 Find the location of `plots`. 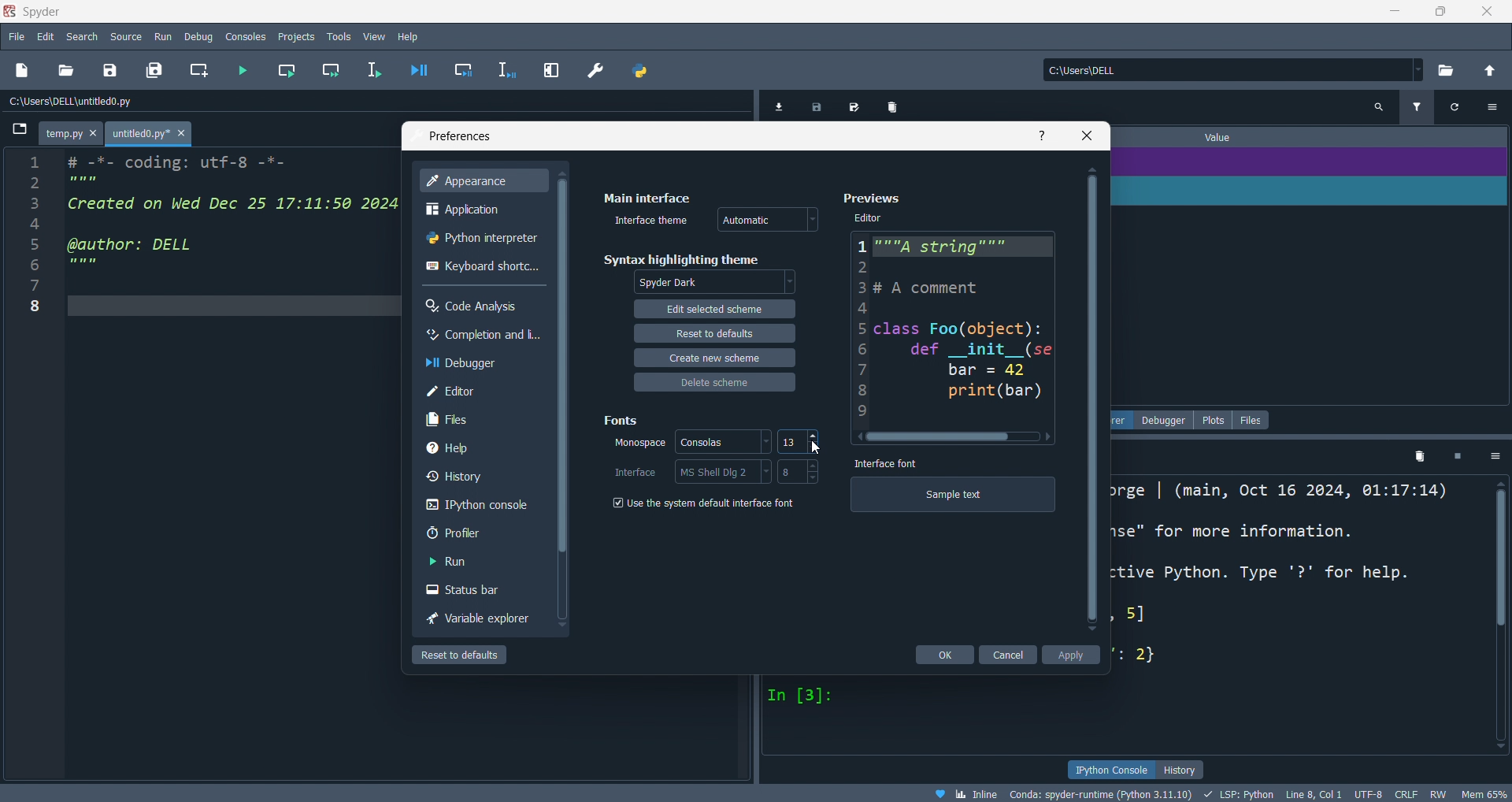

plots is located at coordinates (1216, 418).